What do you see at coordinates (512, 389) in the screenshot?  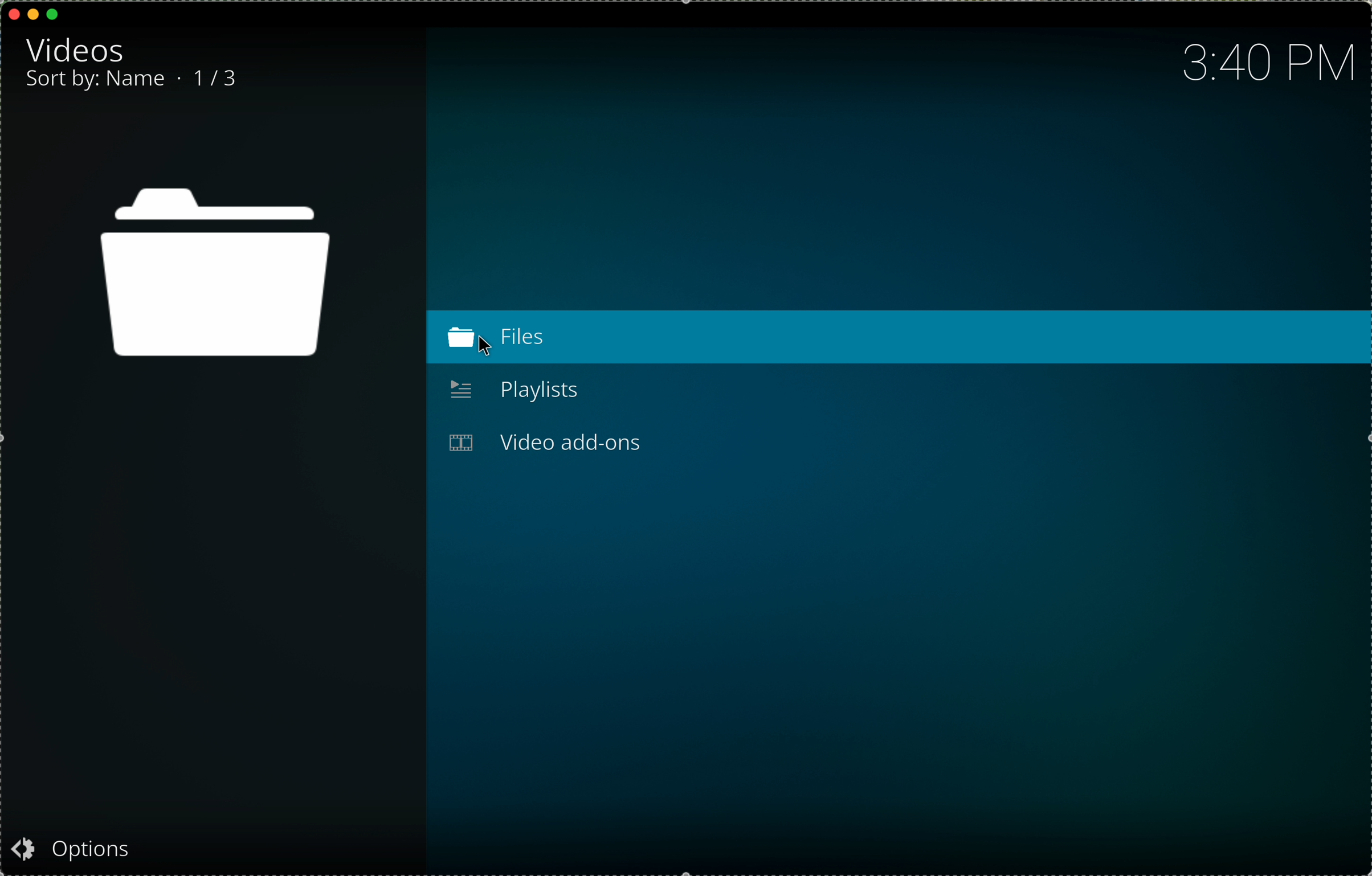 I see `playlists` at bounding box center [512, 389].